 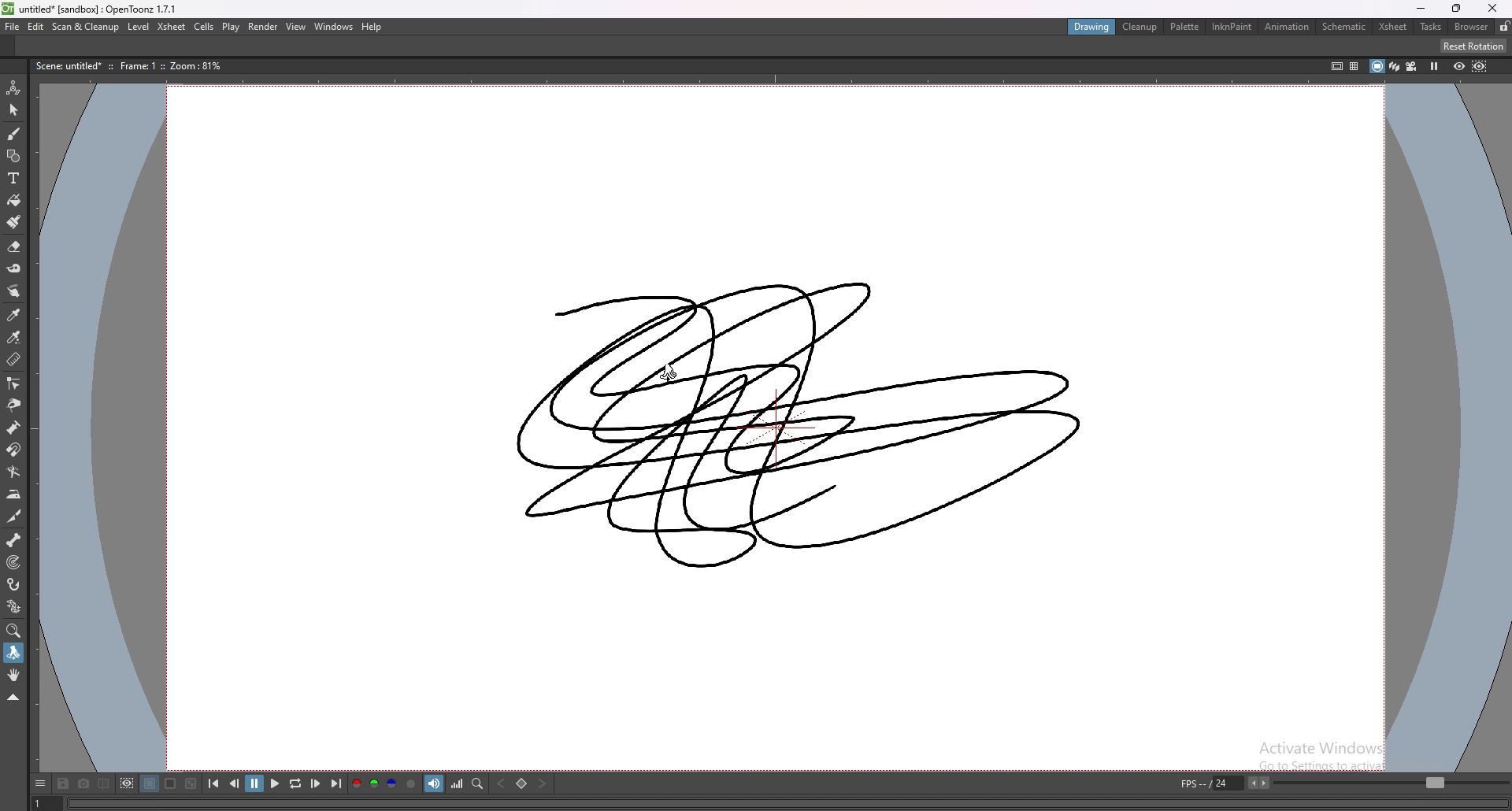 I want to click on brush tool, so click(x=13, y=133).